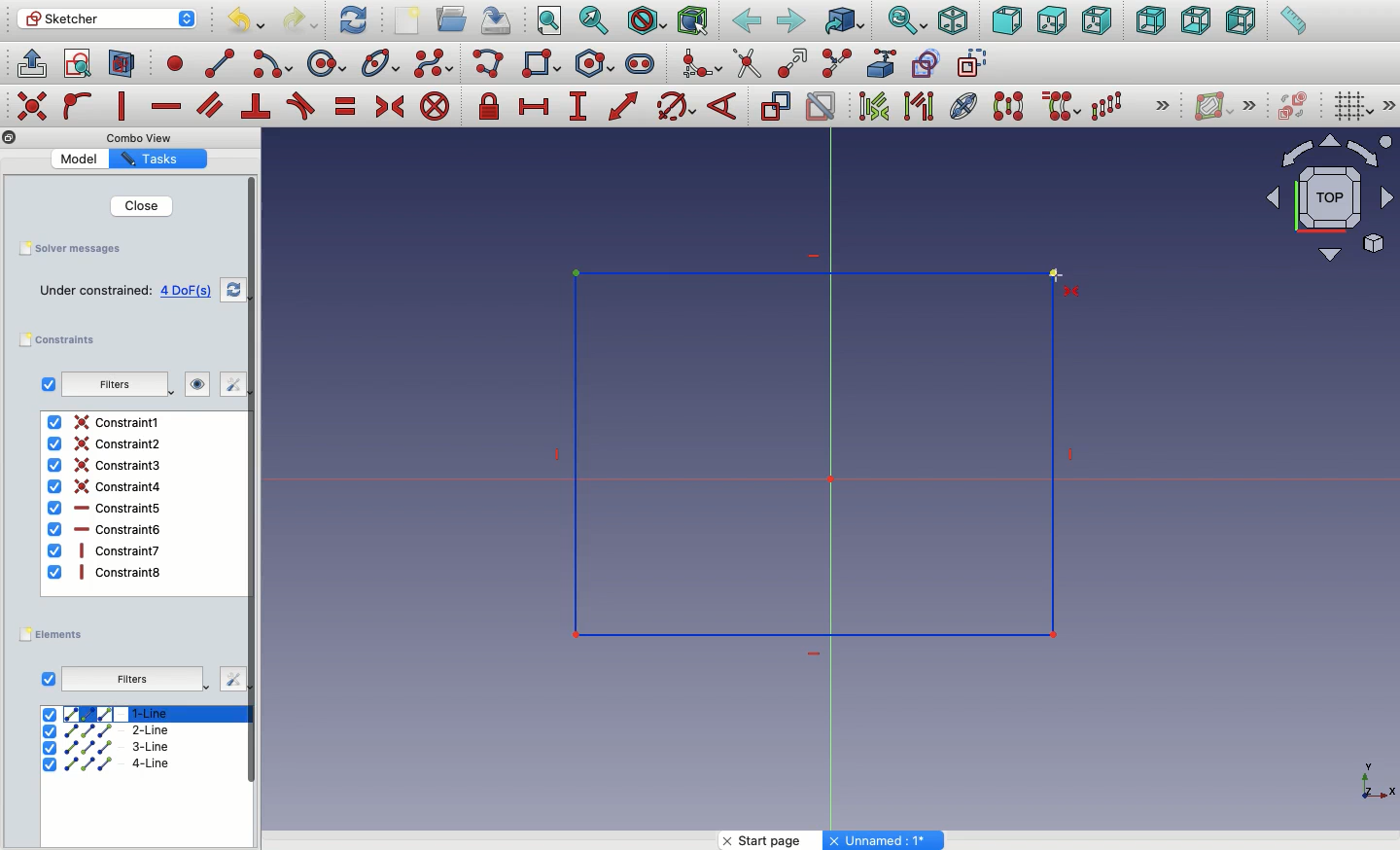  What do you see at coordinates (106, 509) in the screenshot?
I see `Constraint5` at bounding box center [106, 509].